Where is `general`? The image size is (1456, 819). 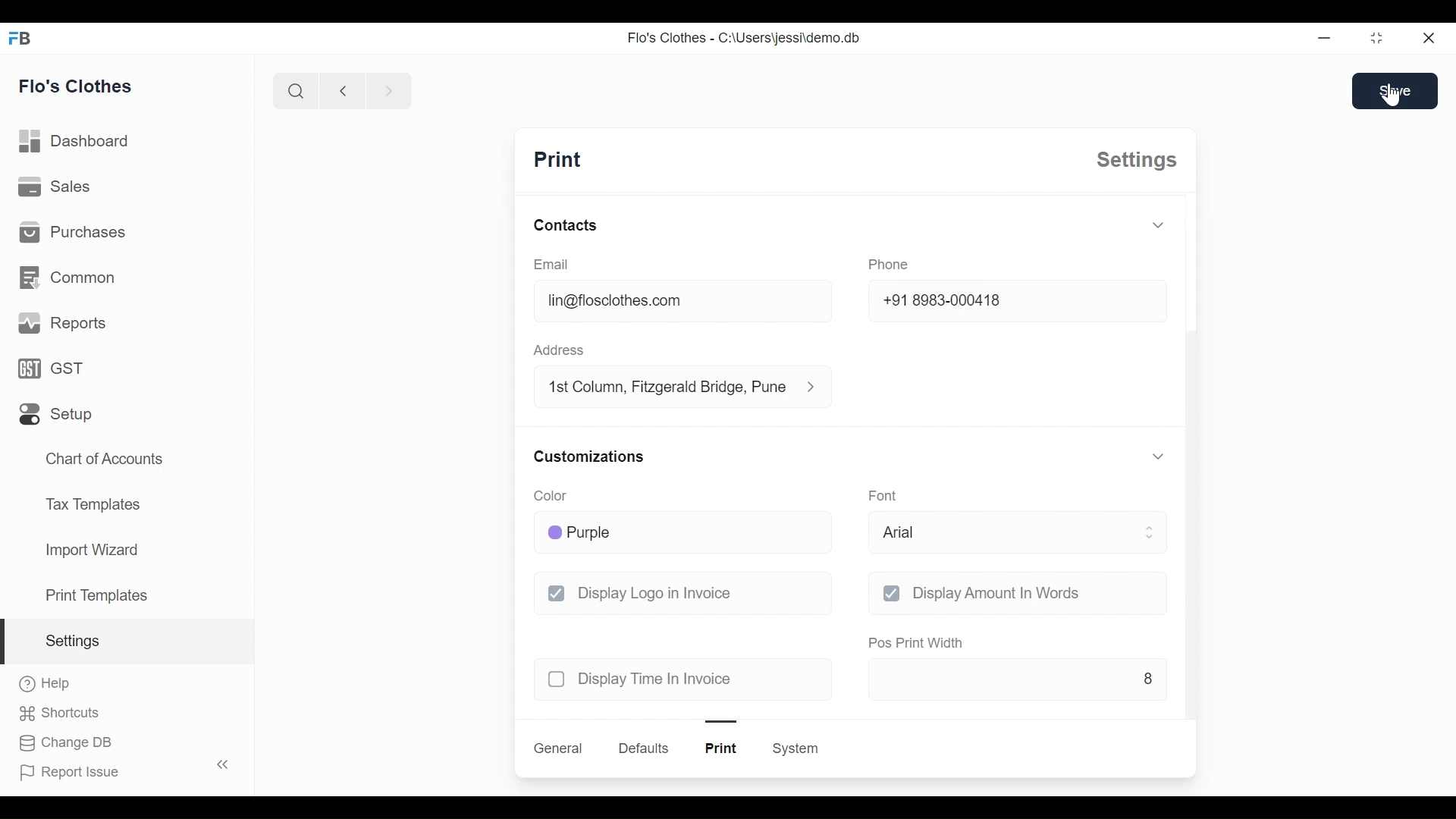 general is located at coordinates (559, 748).